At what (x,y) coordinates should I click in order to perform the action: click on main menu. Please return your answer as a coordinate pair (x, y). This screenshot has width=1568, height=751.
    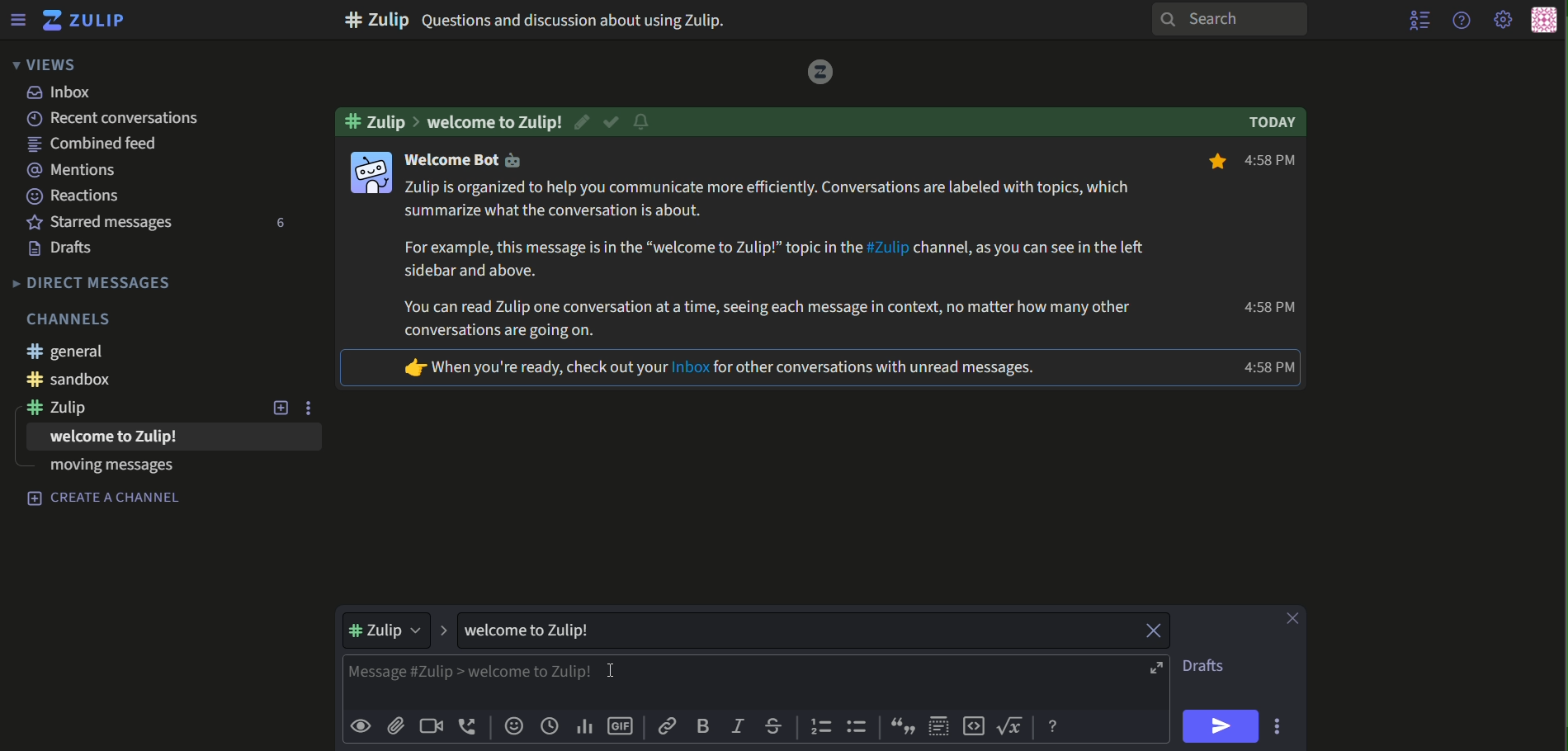
    Looking at the image, I should click on (1504, 21).